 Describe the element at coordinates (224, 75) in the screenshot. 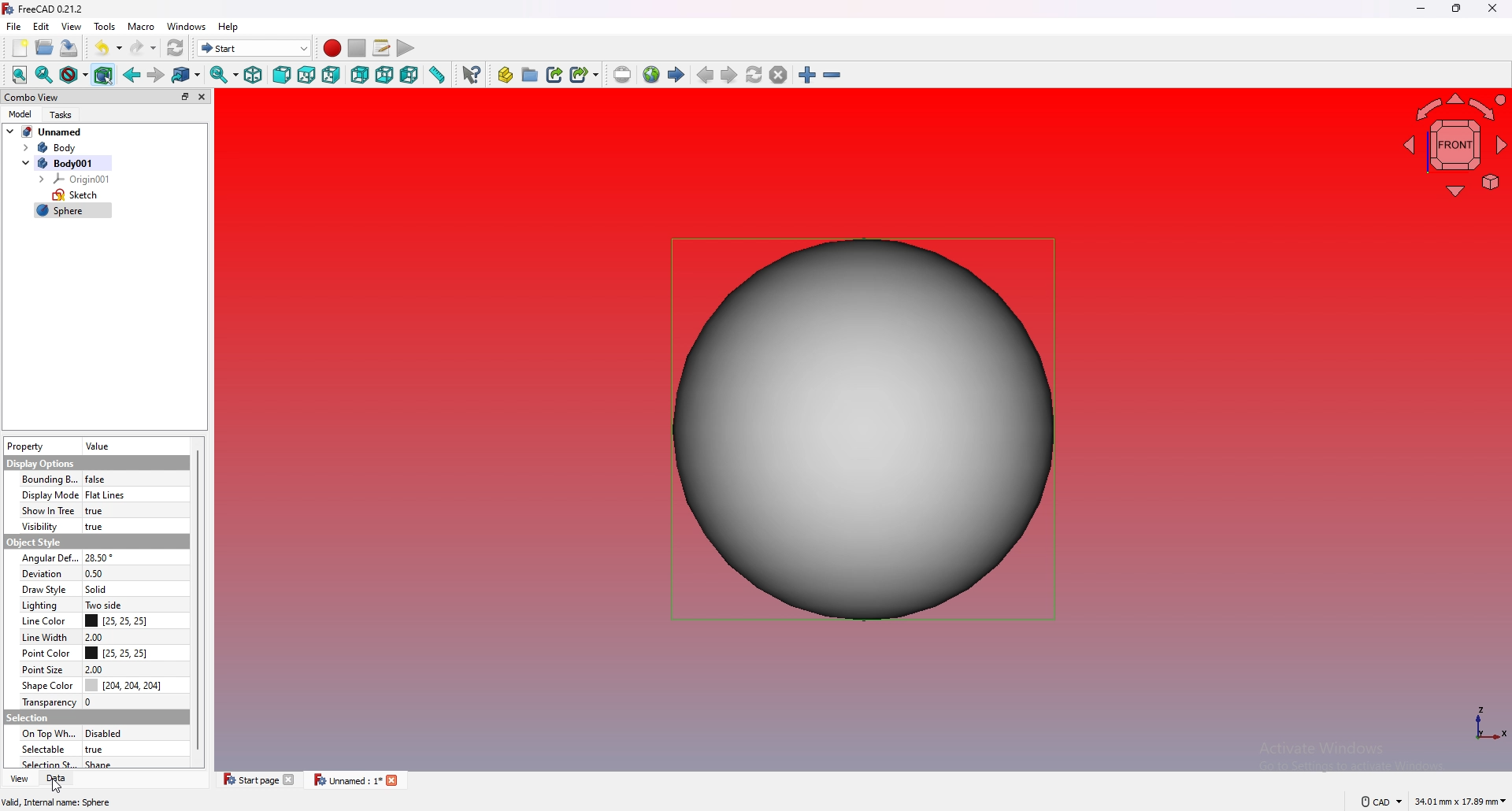

I see `sync view` at that location.